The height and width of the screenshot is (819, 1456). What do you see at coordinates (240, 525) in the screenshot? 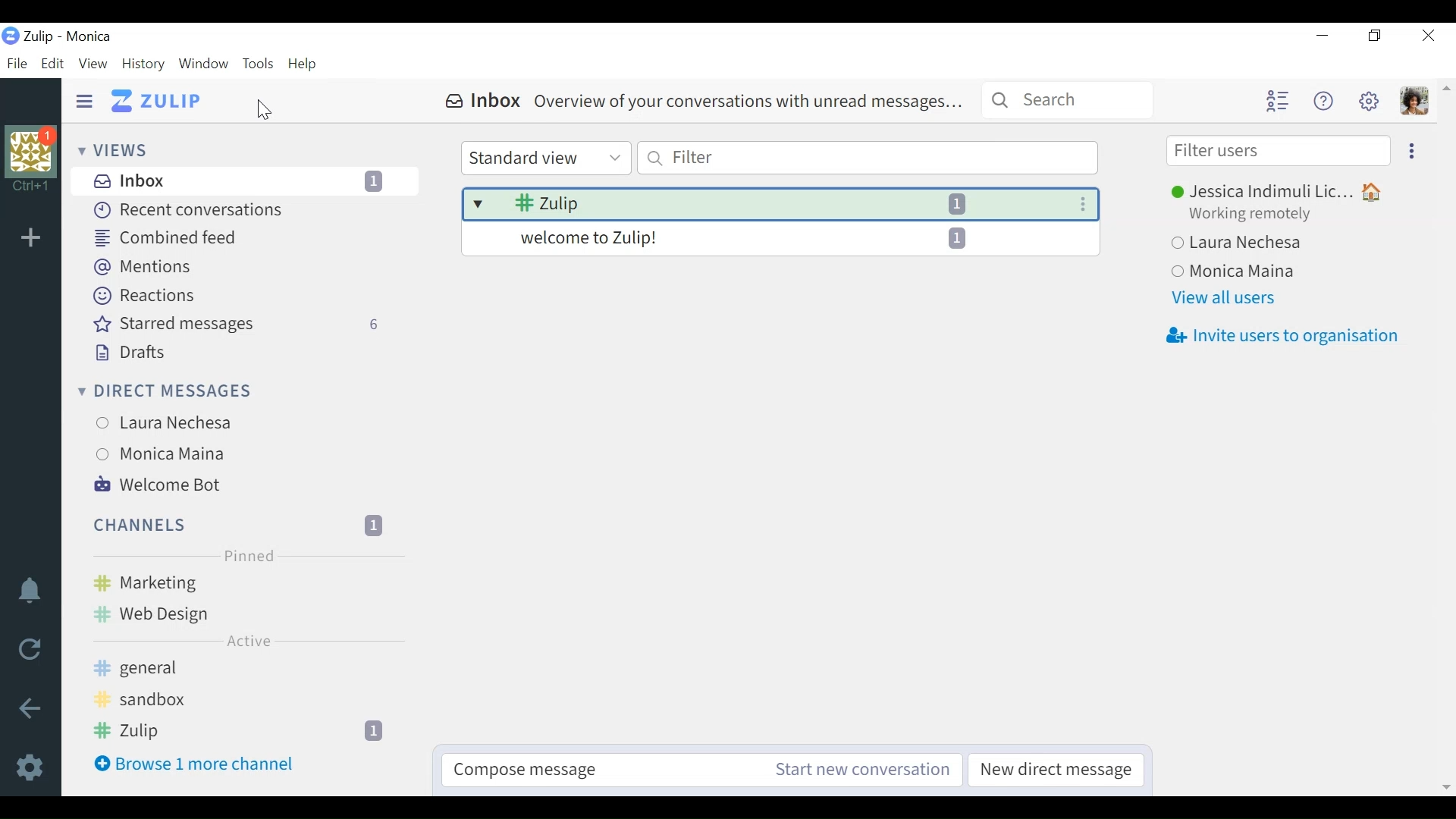
I see `Channel` at bounding box center [240, 525].